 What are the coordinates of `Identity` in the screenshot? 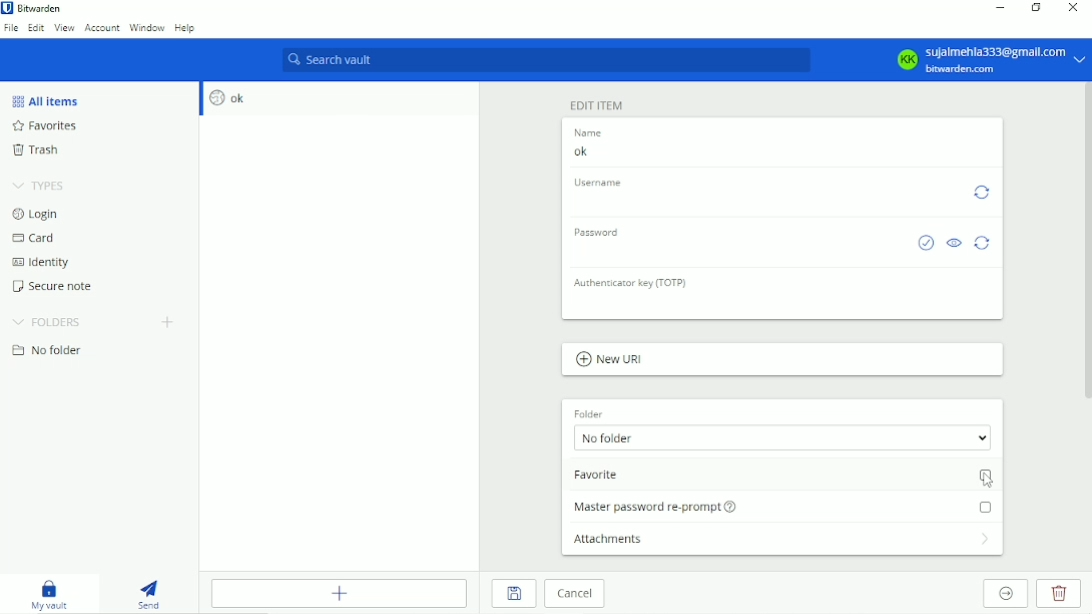 It's located at (44, 263).